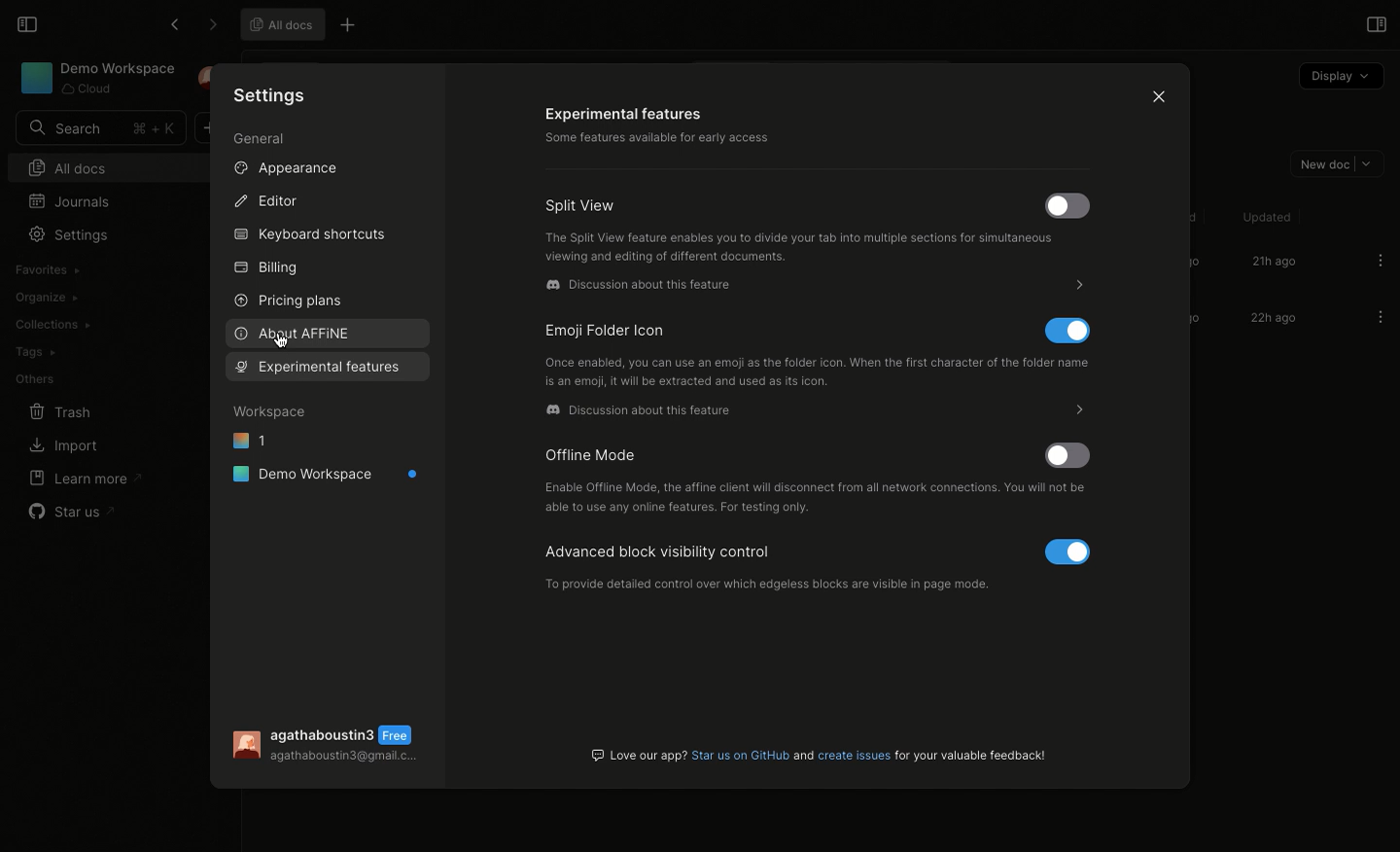  Describe the element at coordinates (74, 200) in the screenshot. I see `Journals` at that location.